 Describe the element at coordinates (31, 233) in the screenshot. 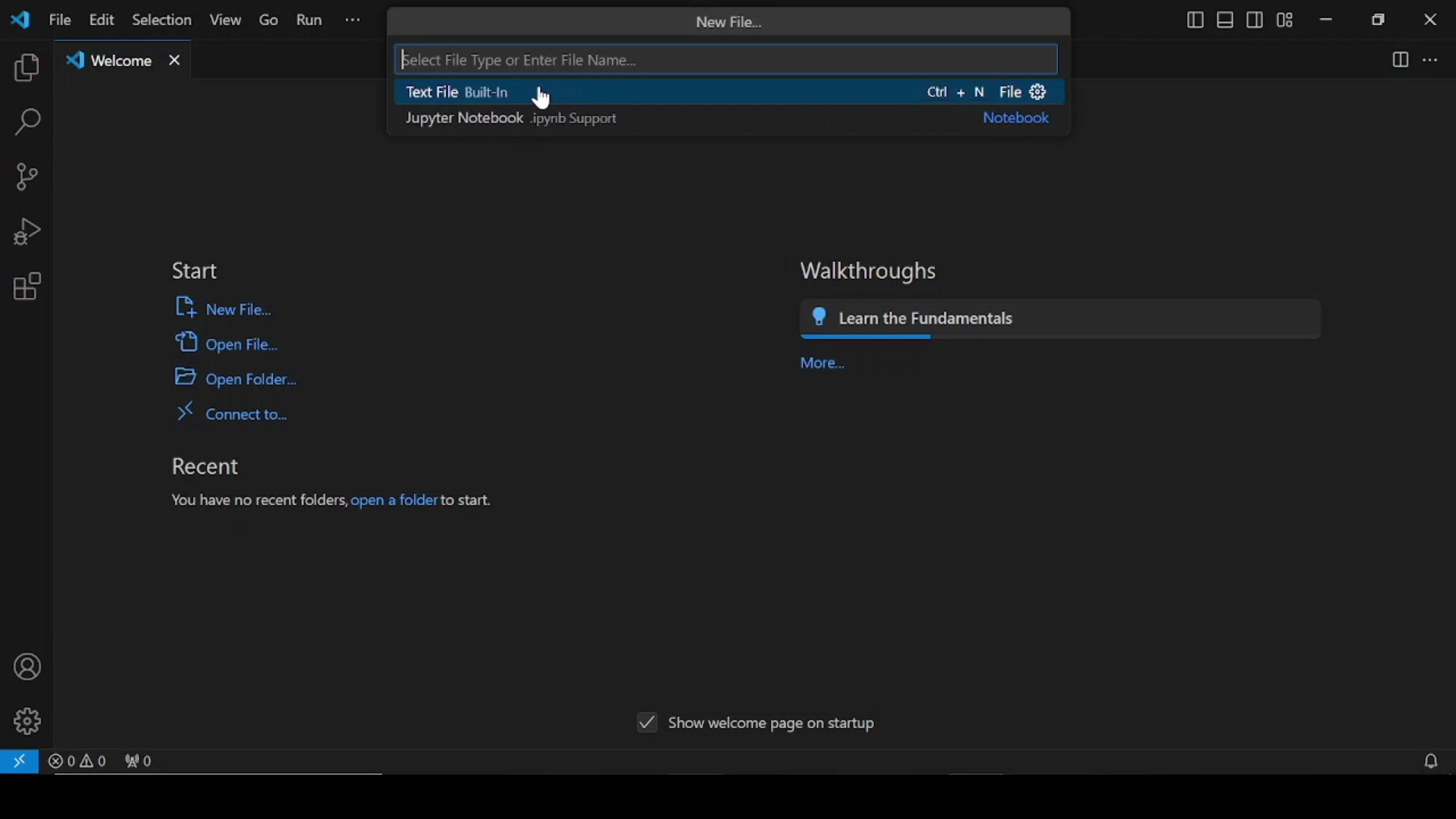

I see `run and debug` at that location.